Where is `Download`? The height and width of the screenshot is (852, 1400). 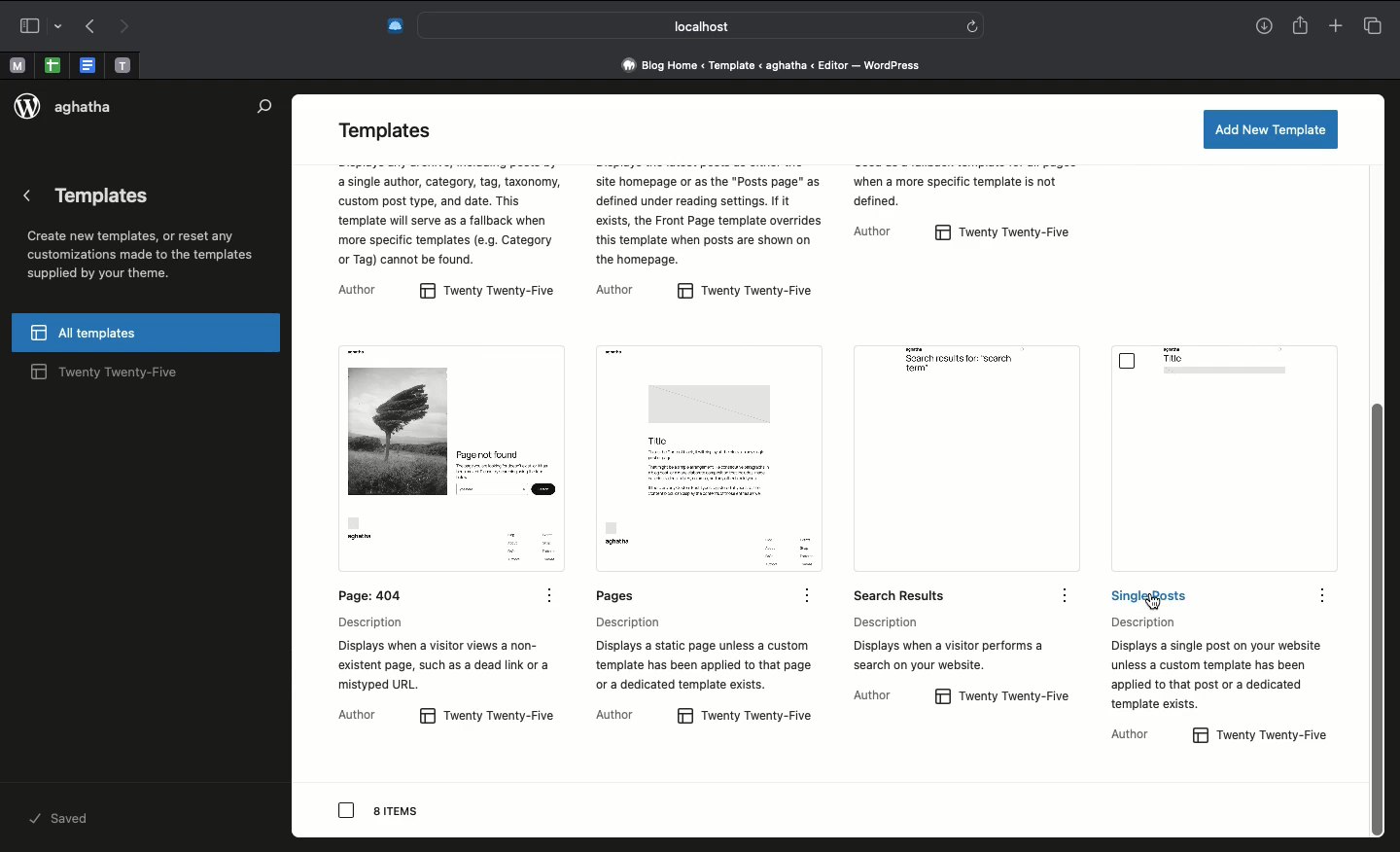 Download is located at coordinates (1261, 27).